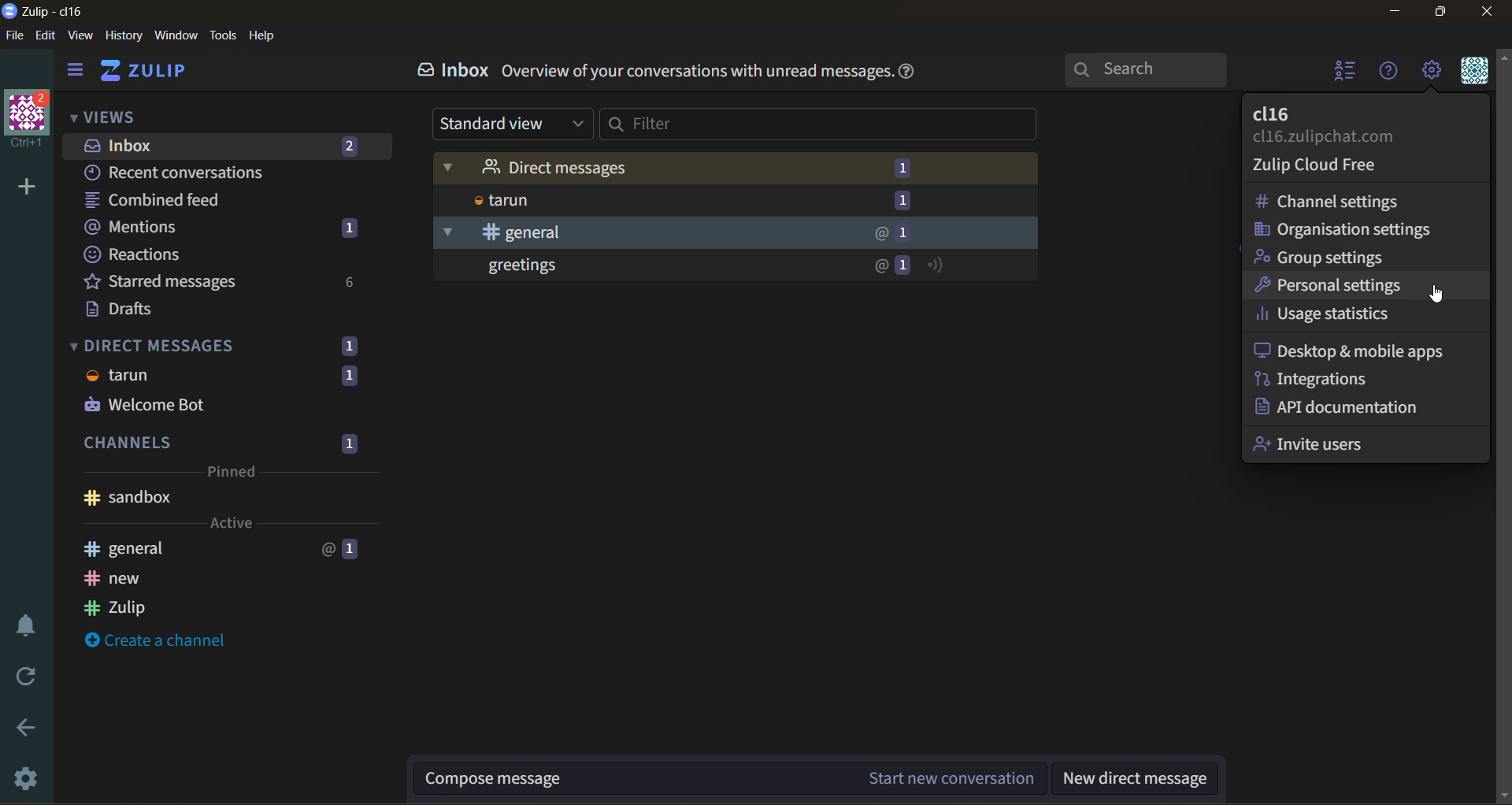 Image resolution: width=1512 pixels, height=805 pixels. I want to click on cursor, so click(1440, 295).